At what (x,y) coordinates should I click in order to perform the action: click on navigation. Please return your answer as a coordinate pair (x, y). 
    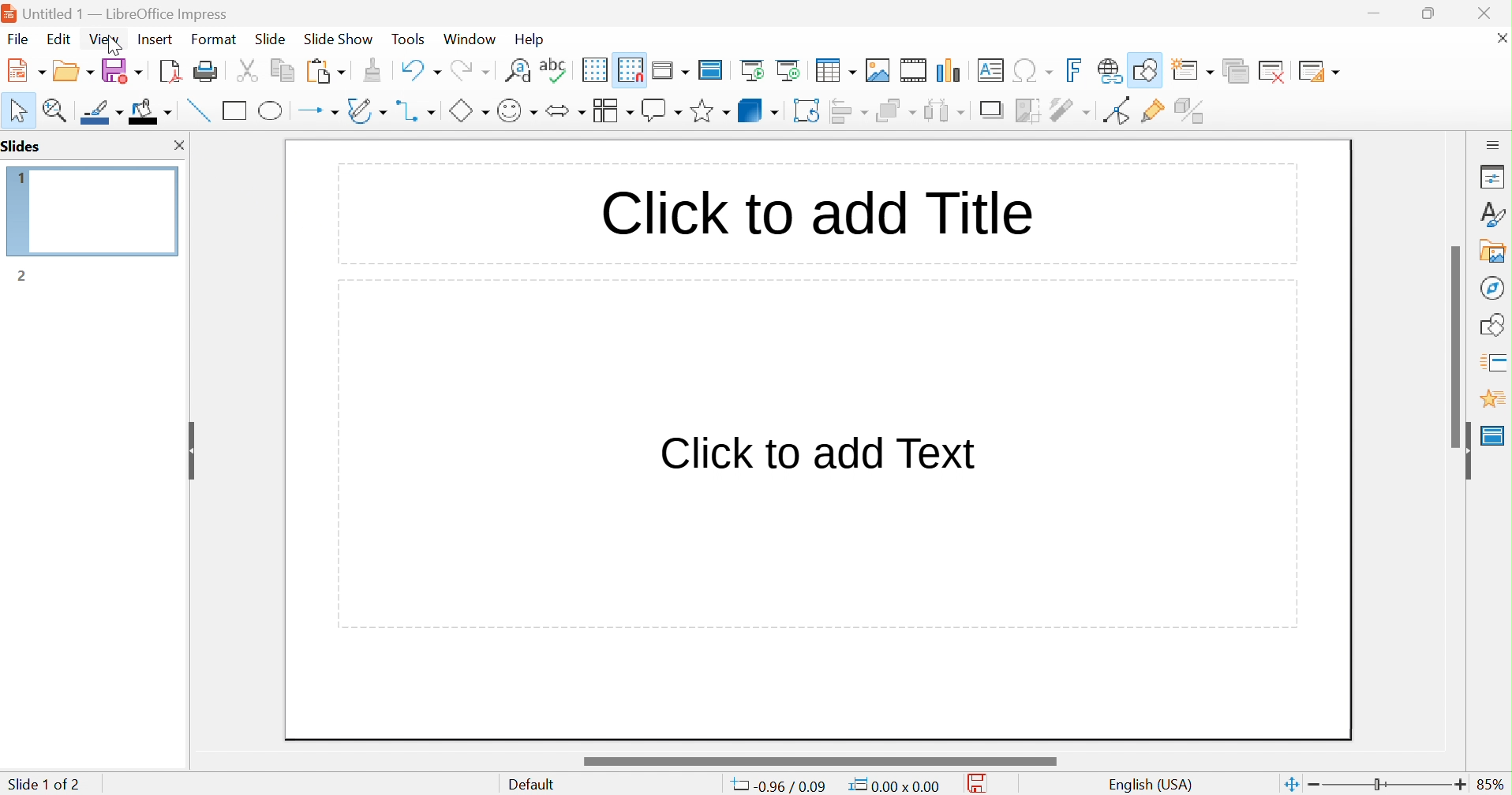
    Looking at the image, I should click on (1491, 287).